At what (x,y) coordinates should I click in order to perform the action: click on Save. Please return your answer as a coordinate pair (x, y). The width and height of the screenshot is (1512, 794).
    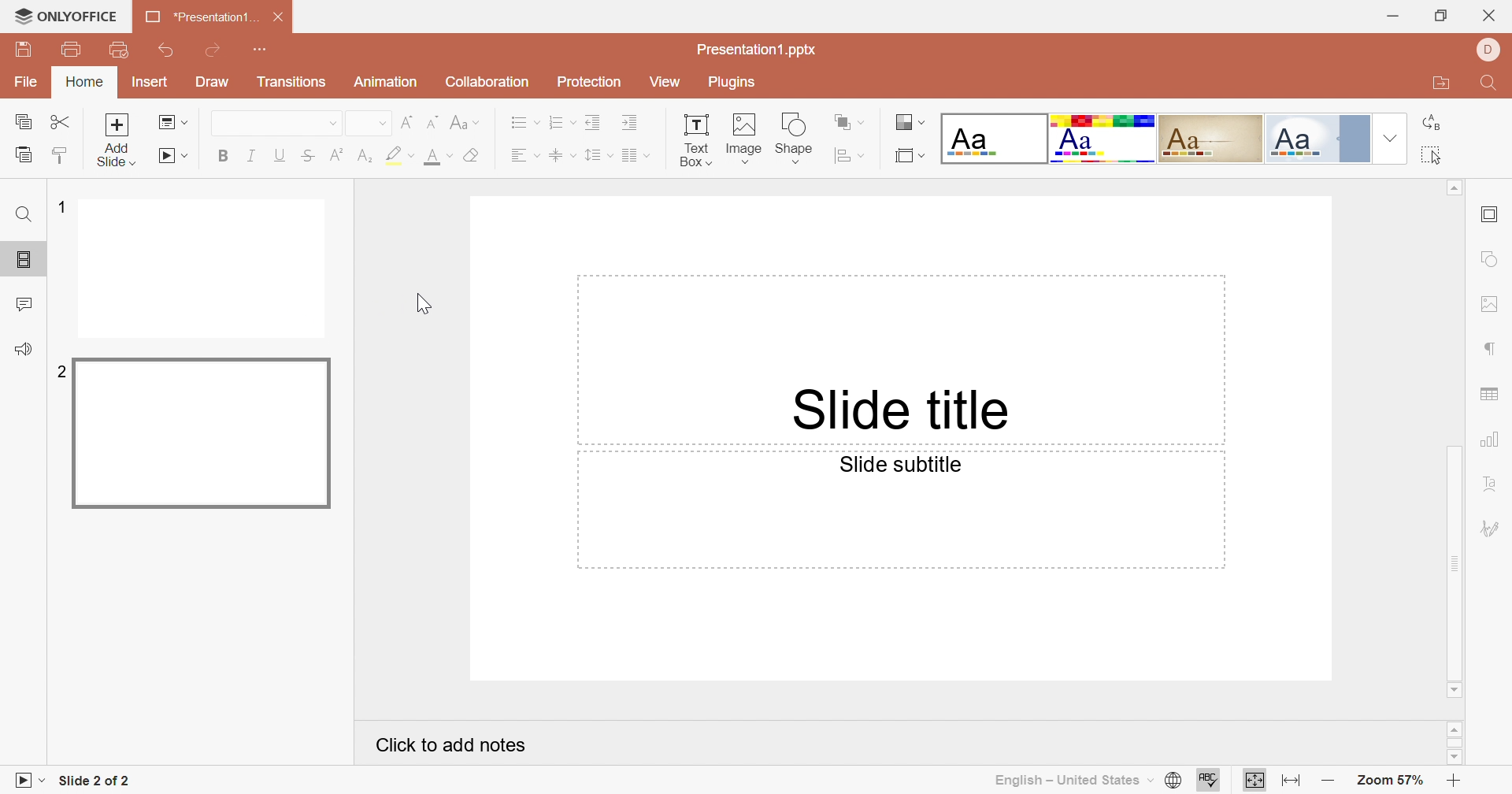
    Looking at the image, I should click on (22, 50).